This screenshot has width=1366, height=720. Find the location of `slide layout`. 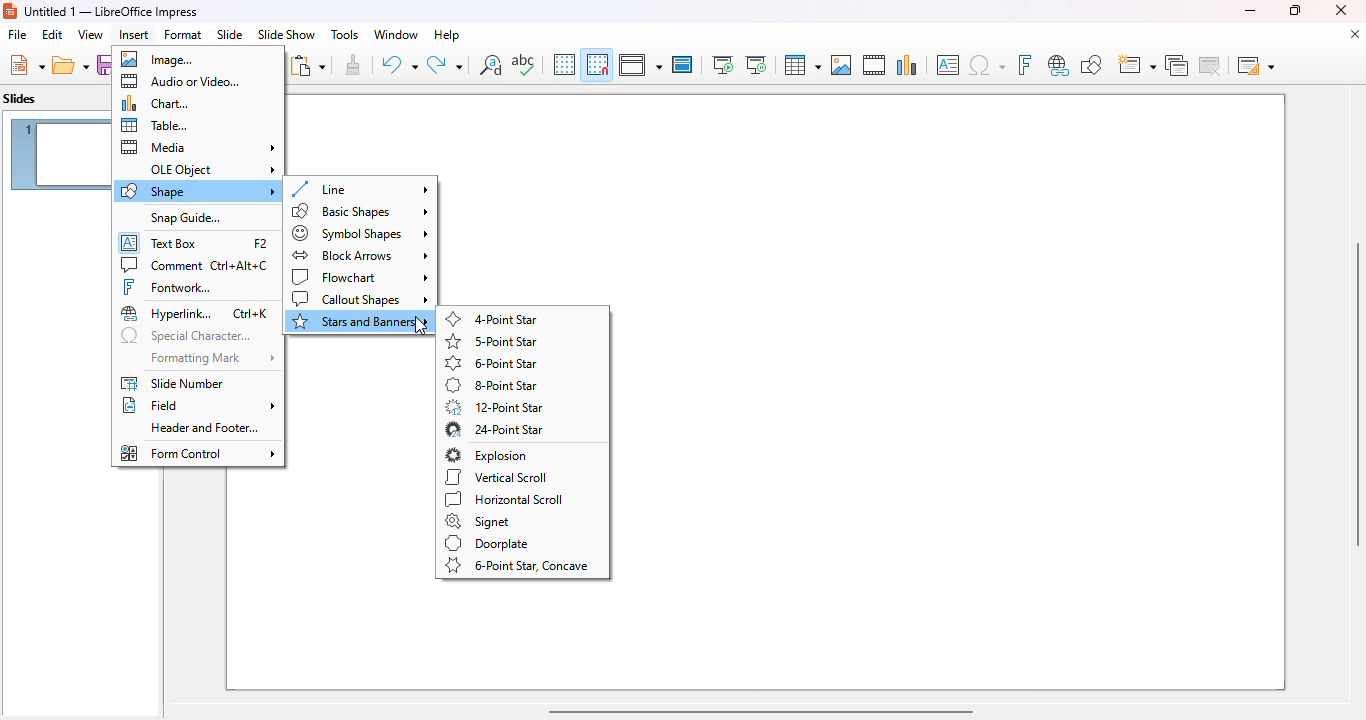

slide layout is located at coordinates (1256, 65).